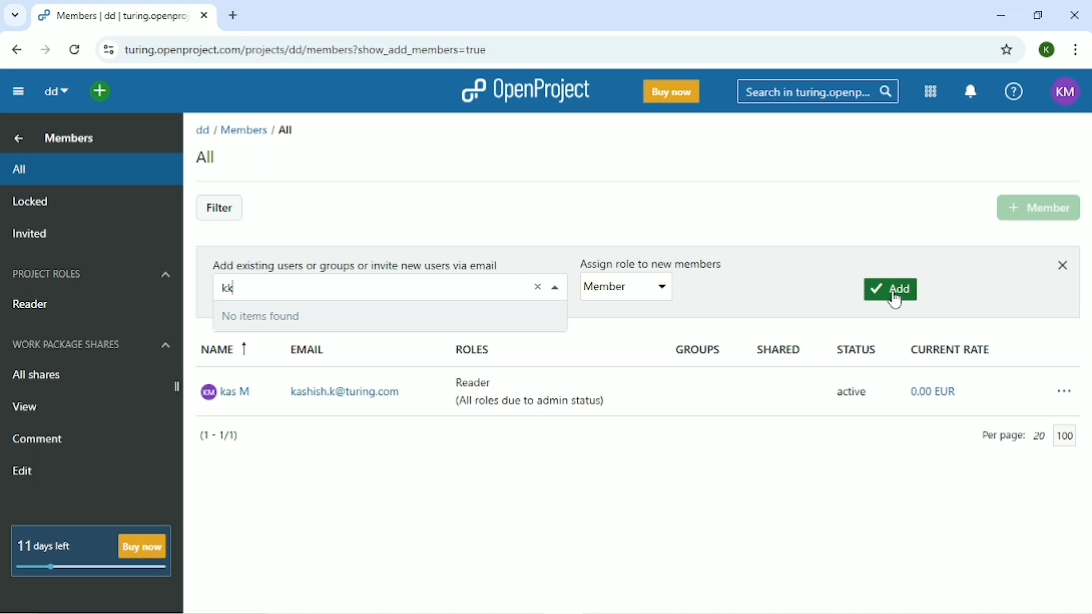 This screenshot has width=1092, height=614. What do you see at coordinates (1037, 208) in the screenshot?
I see `Add Member` at bounding box center [1037, 208].